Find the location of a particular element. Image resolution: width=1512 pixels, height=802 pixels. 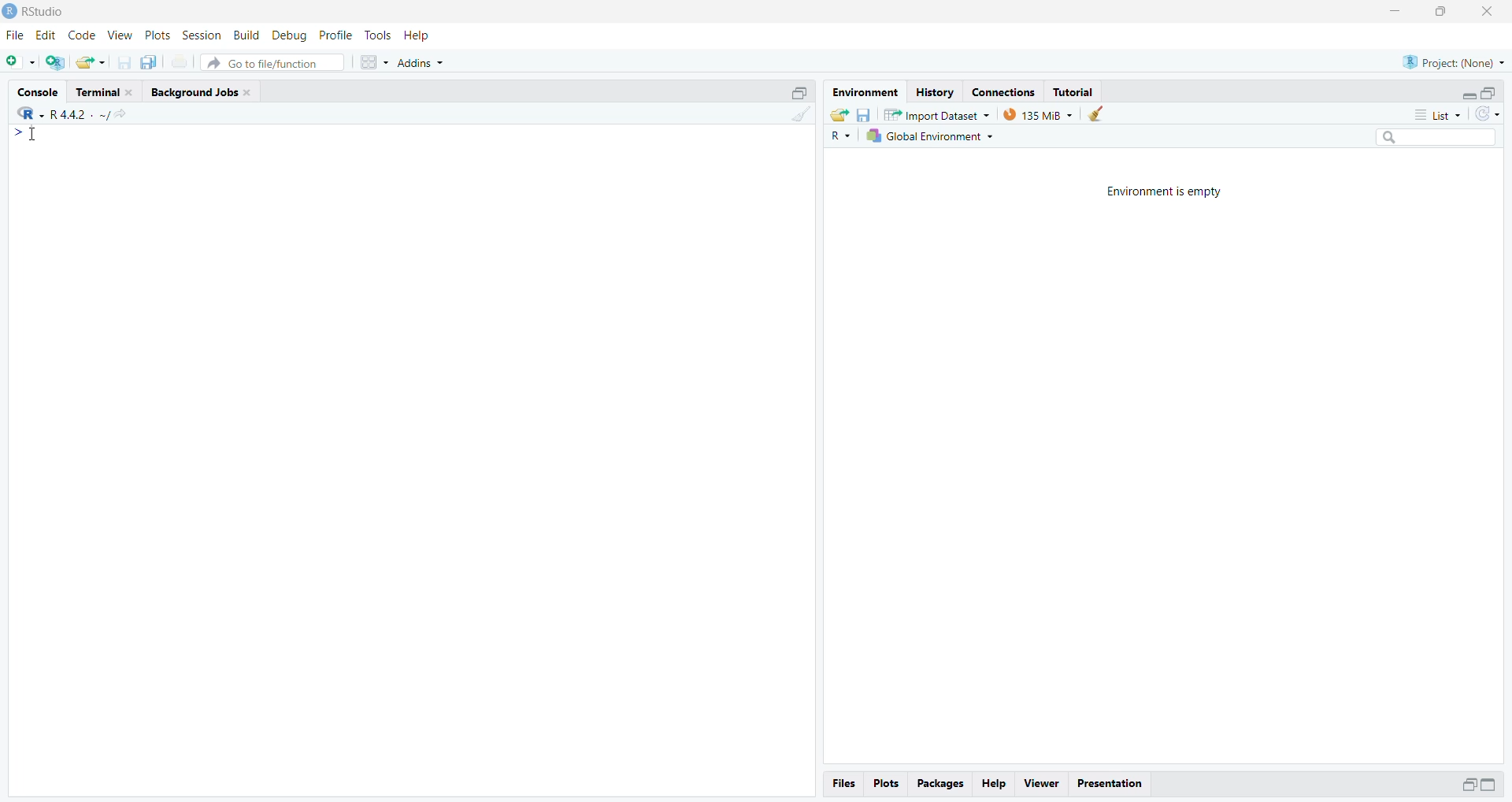

Terminal is located at coordinates (106, 91).